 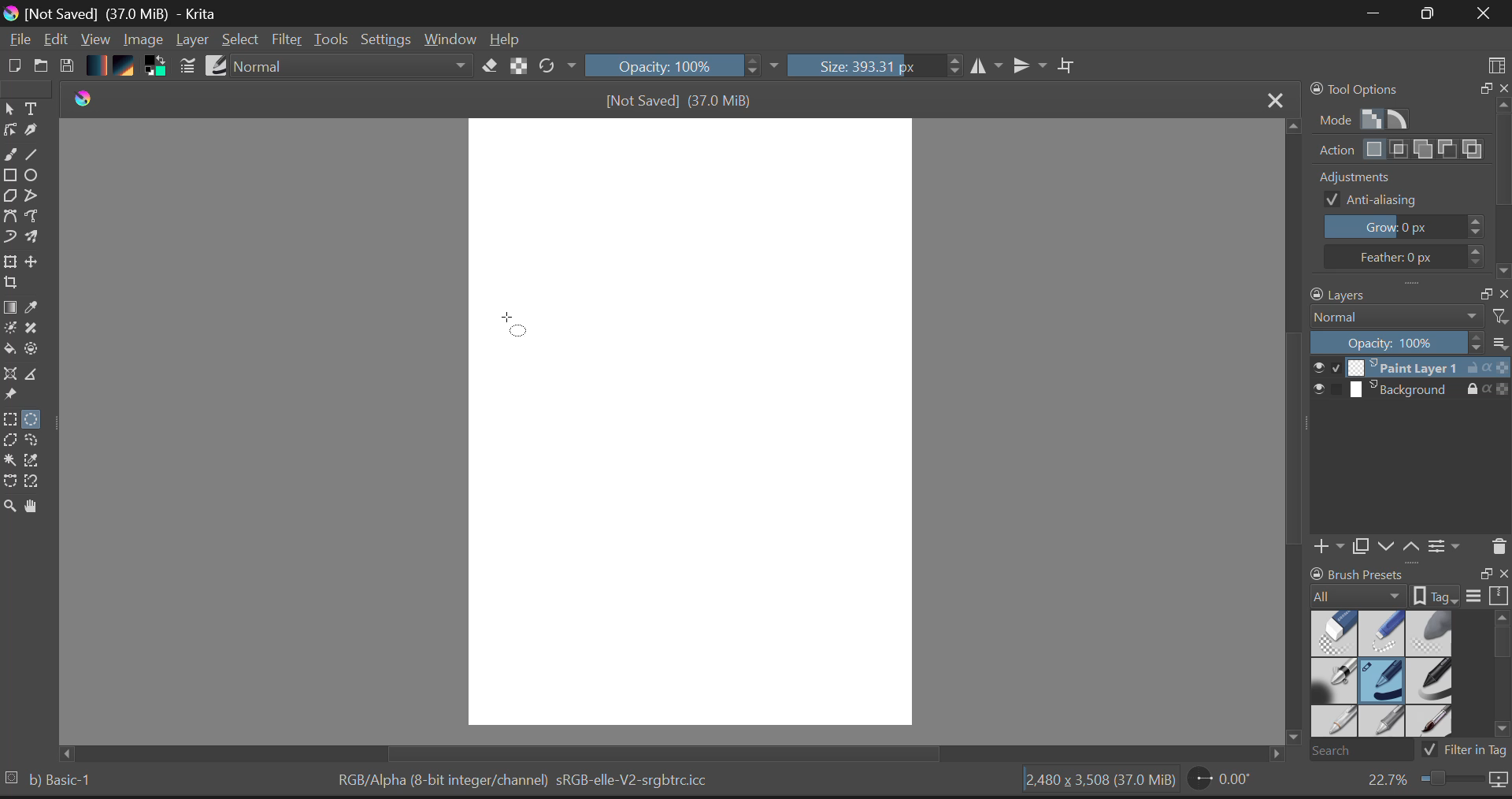 I want to click on Horizontal Mirror Flip, so click(x=1033, y=67).